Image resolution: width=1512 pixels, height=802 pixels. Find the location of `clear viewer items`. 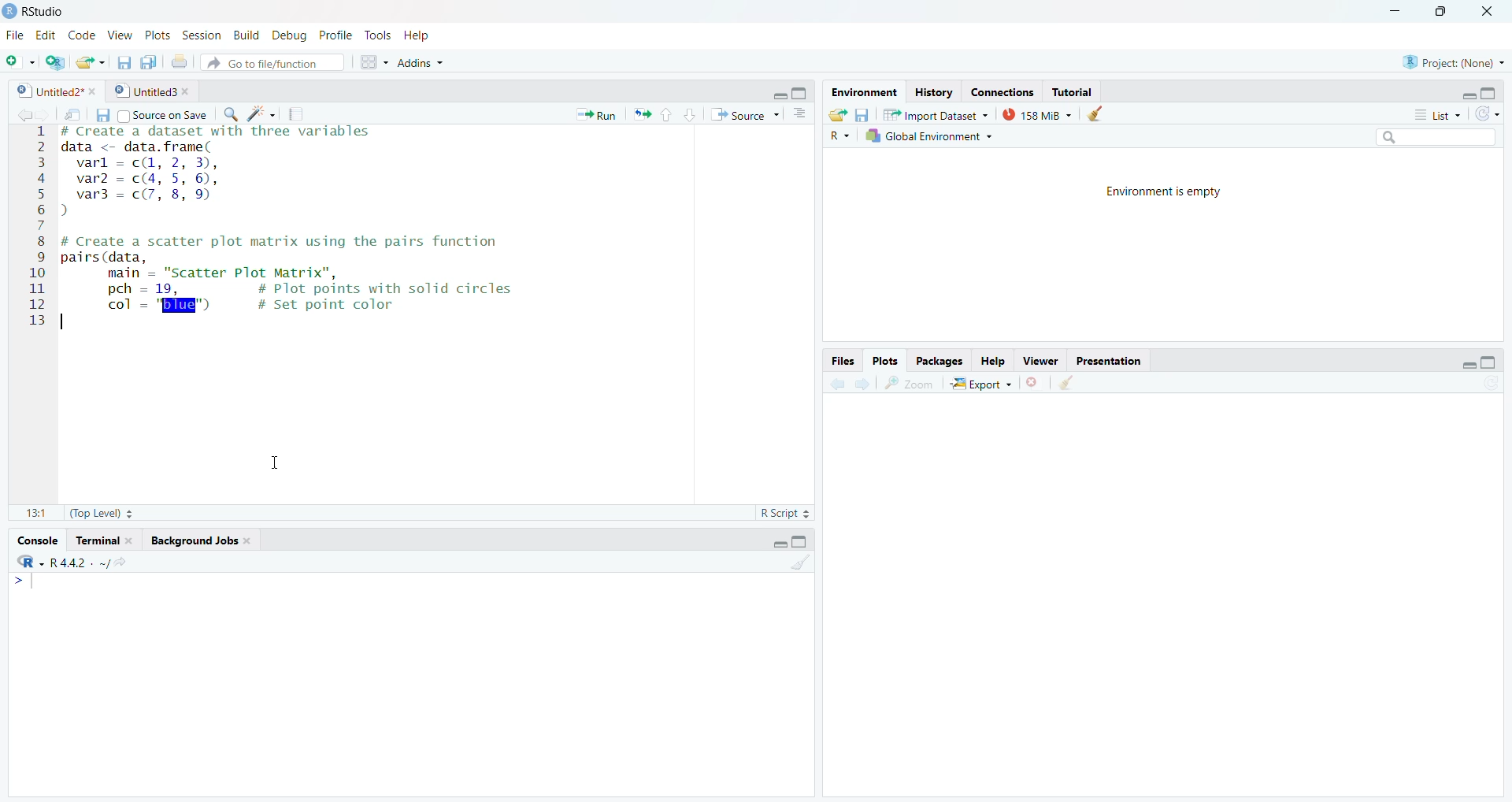

clear viewer items is located at coordinates (1100, 114).